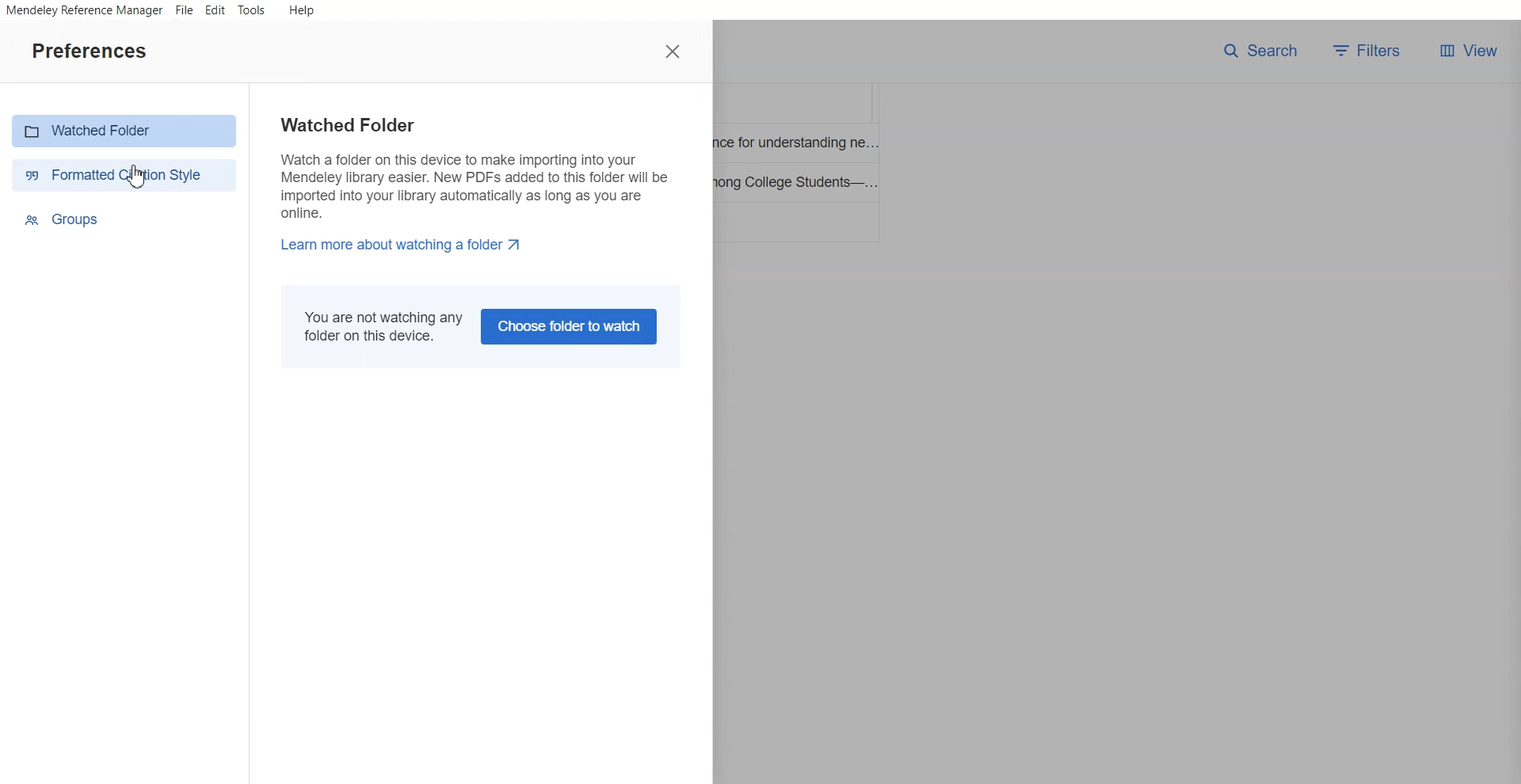 This screenshot has width=1521, height=784. I want to click on Group, so click(126, 219).